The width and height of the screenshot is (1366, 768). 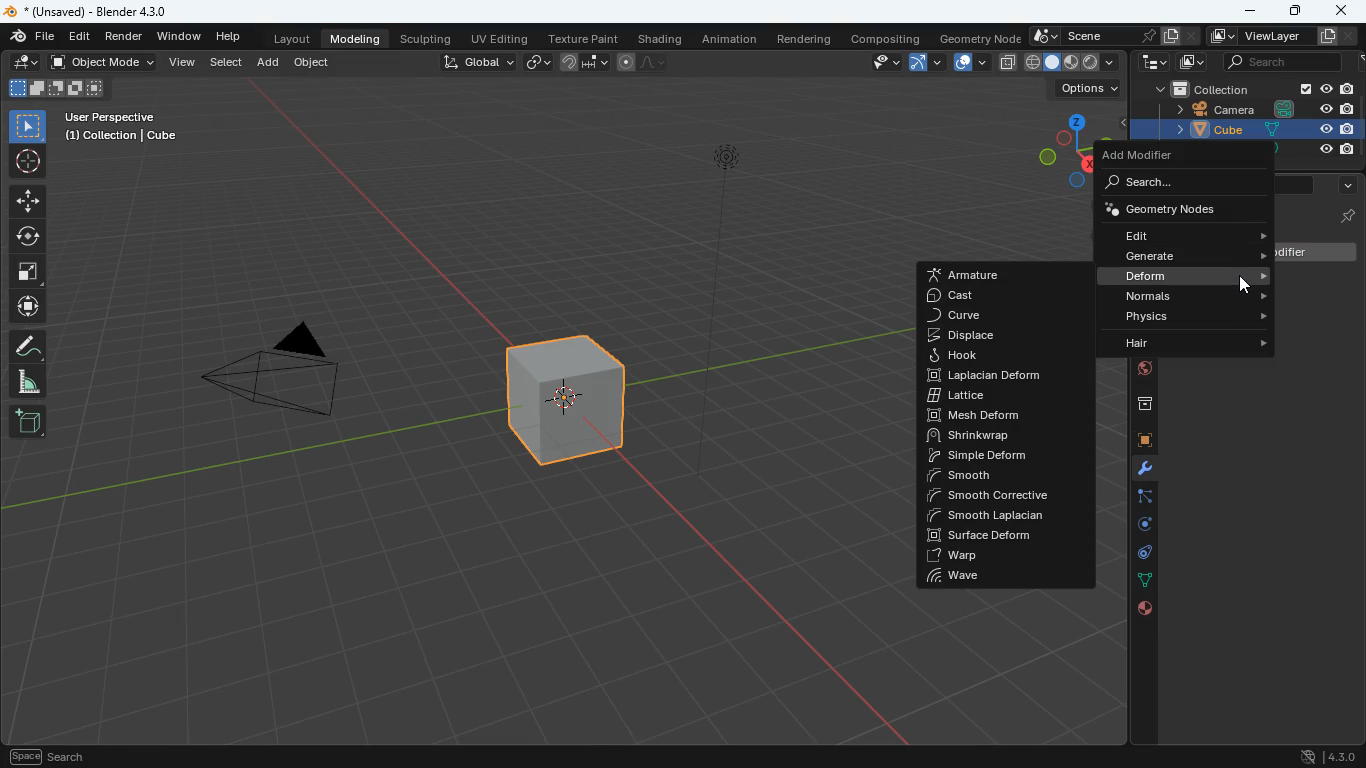 What do you see at coordinates (499, 37) in the screenshot?
I see `uv editing` at bounding box center [499, 37].